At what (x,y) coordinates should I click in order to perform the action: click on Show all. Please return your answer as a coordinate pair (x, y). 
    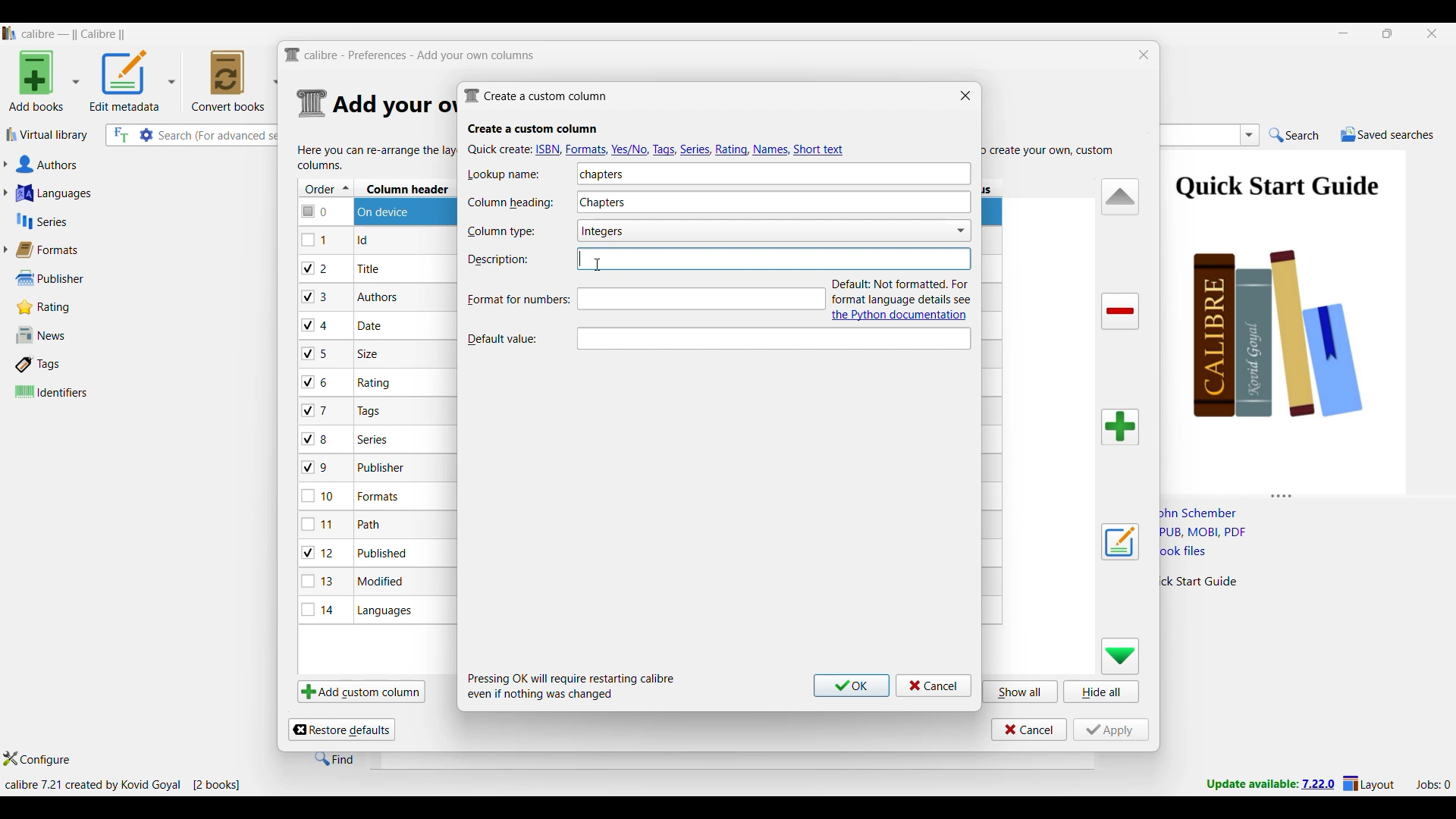
    Looking at the image, I should click on (1021, 691).